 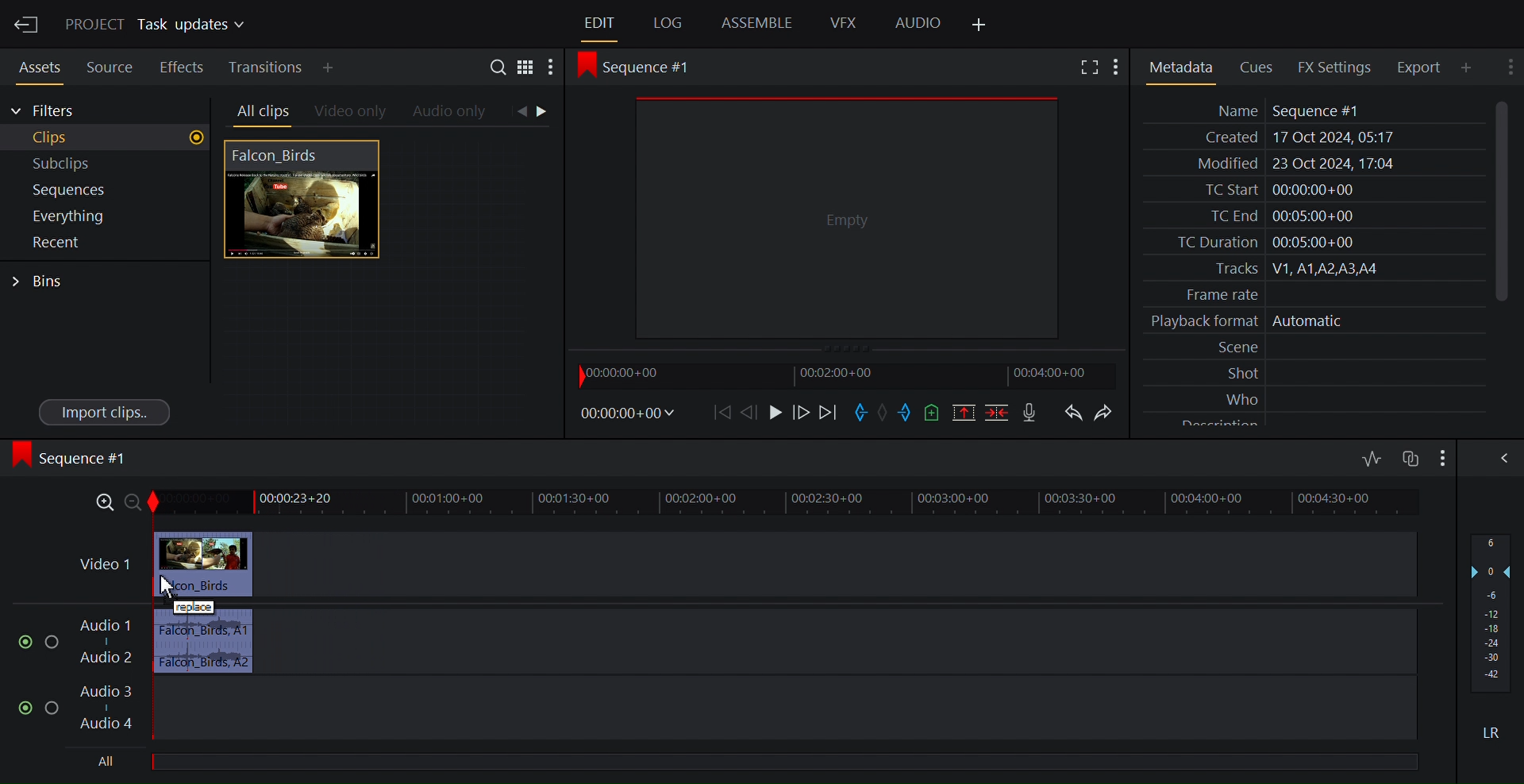 I want to click on Fullscreen, so click(x=1091, y=67).